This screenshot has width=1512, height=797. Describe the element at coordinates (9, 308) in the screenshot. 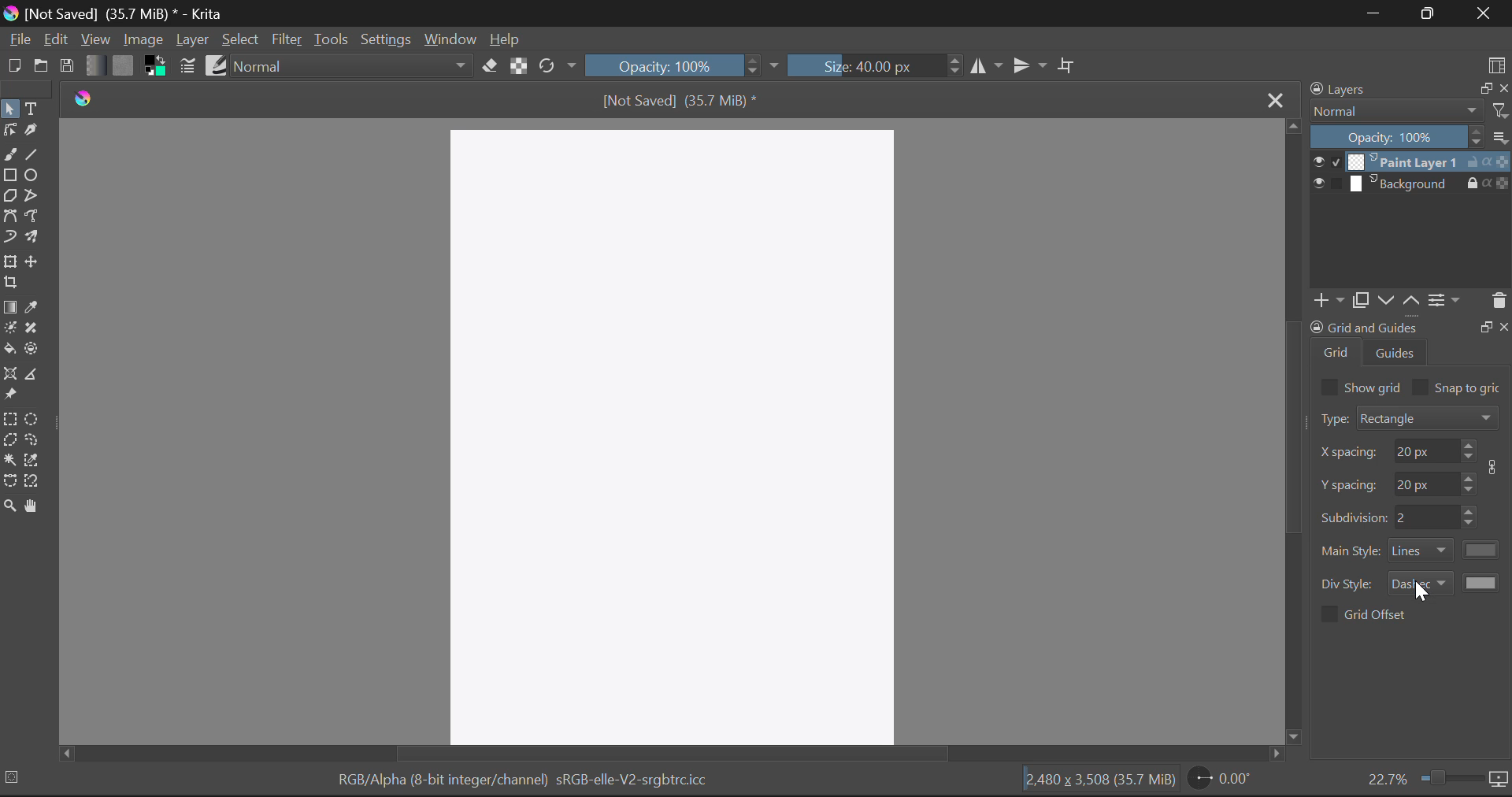

I see `Gradient Fill` at that location.